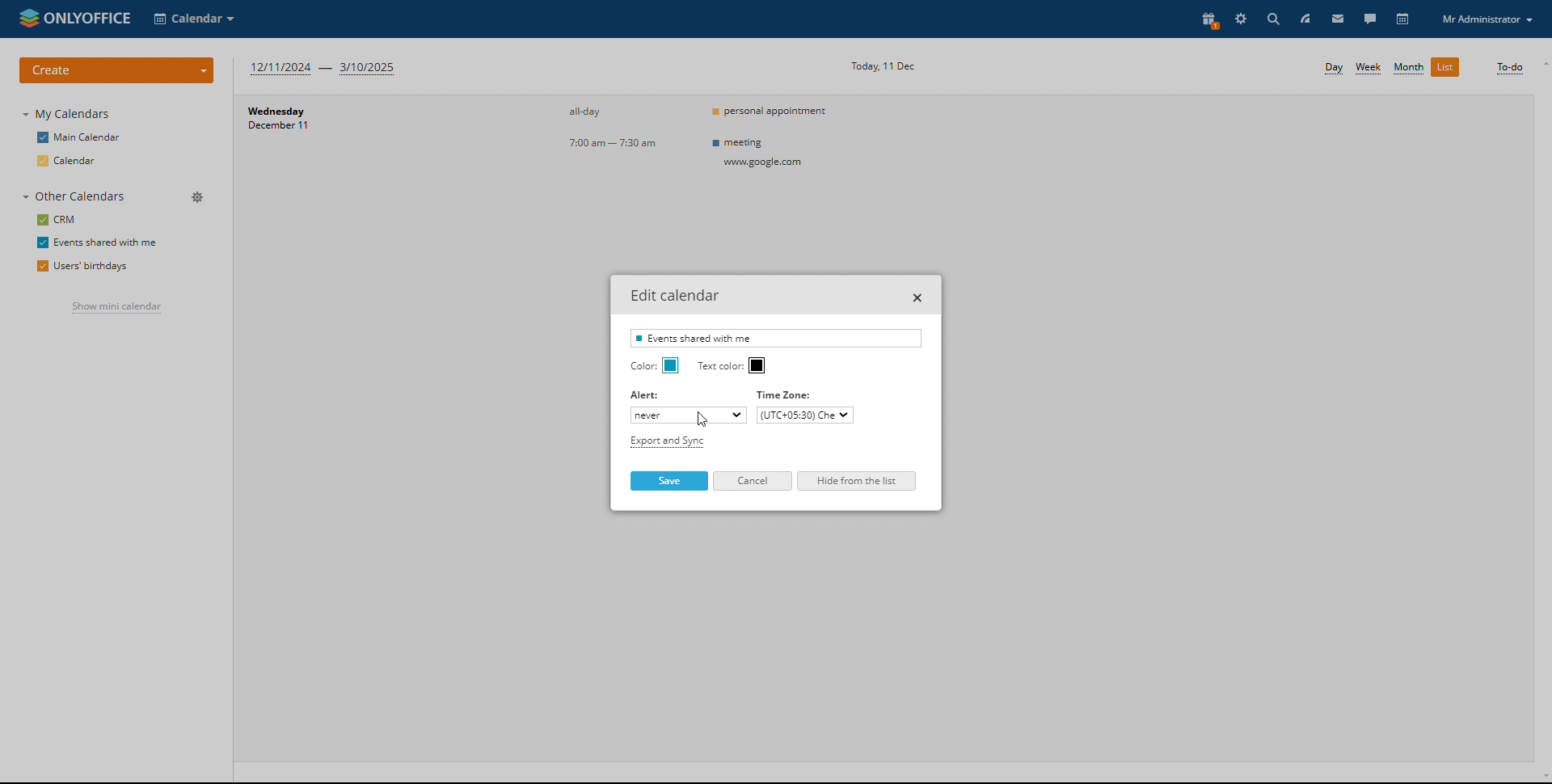 The width and height of the screenshot is (1552, 784). I want to click on my calendars, so click(66, 114).